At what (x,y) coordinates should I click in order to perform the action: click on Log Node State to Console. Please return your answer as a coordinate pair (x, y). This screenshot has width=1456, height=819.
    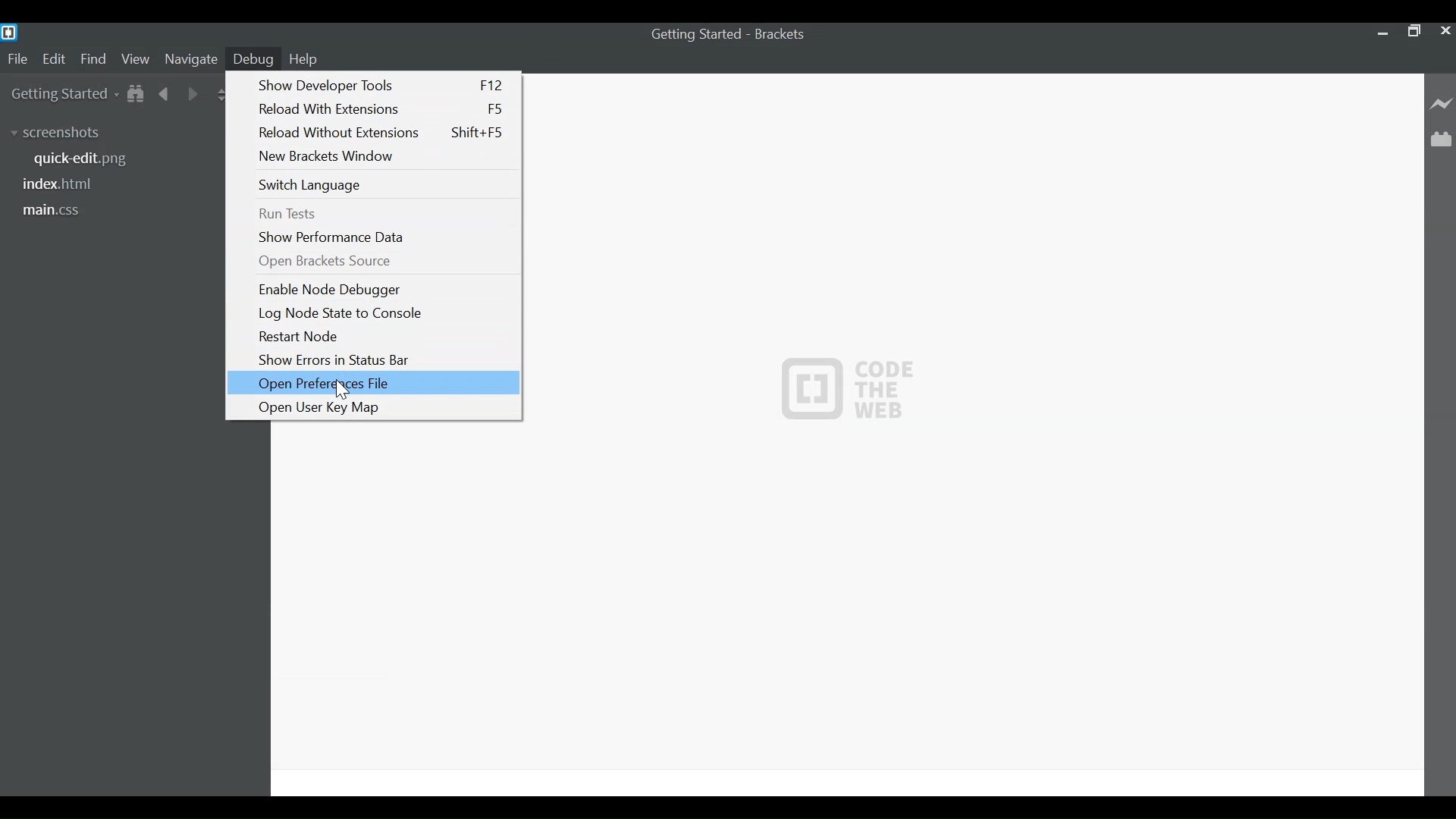
    Looking at the image, I should click on (383, 313).